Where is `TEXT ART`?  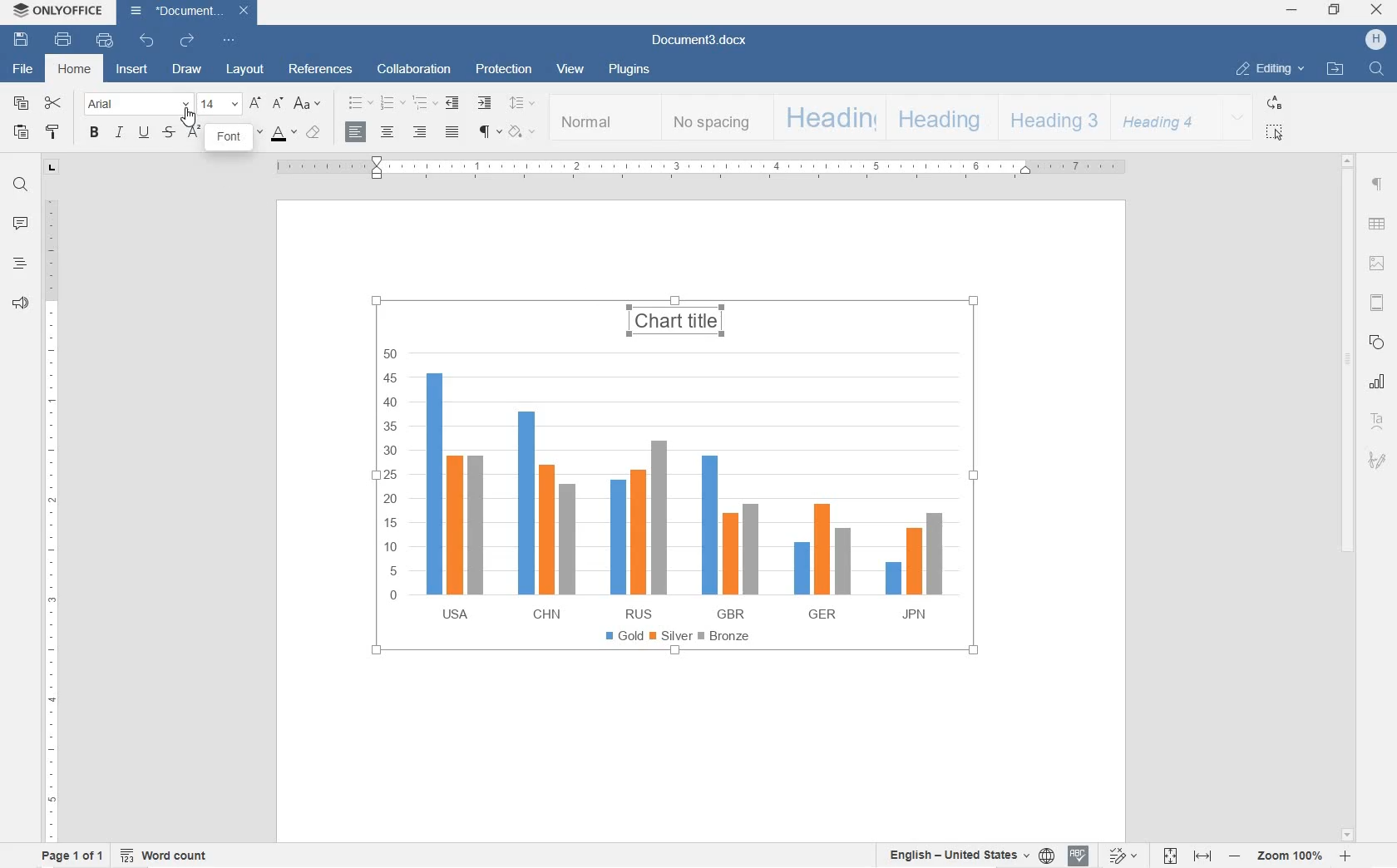
TEXT ART is located at coordinates (1376, 419).